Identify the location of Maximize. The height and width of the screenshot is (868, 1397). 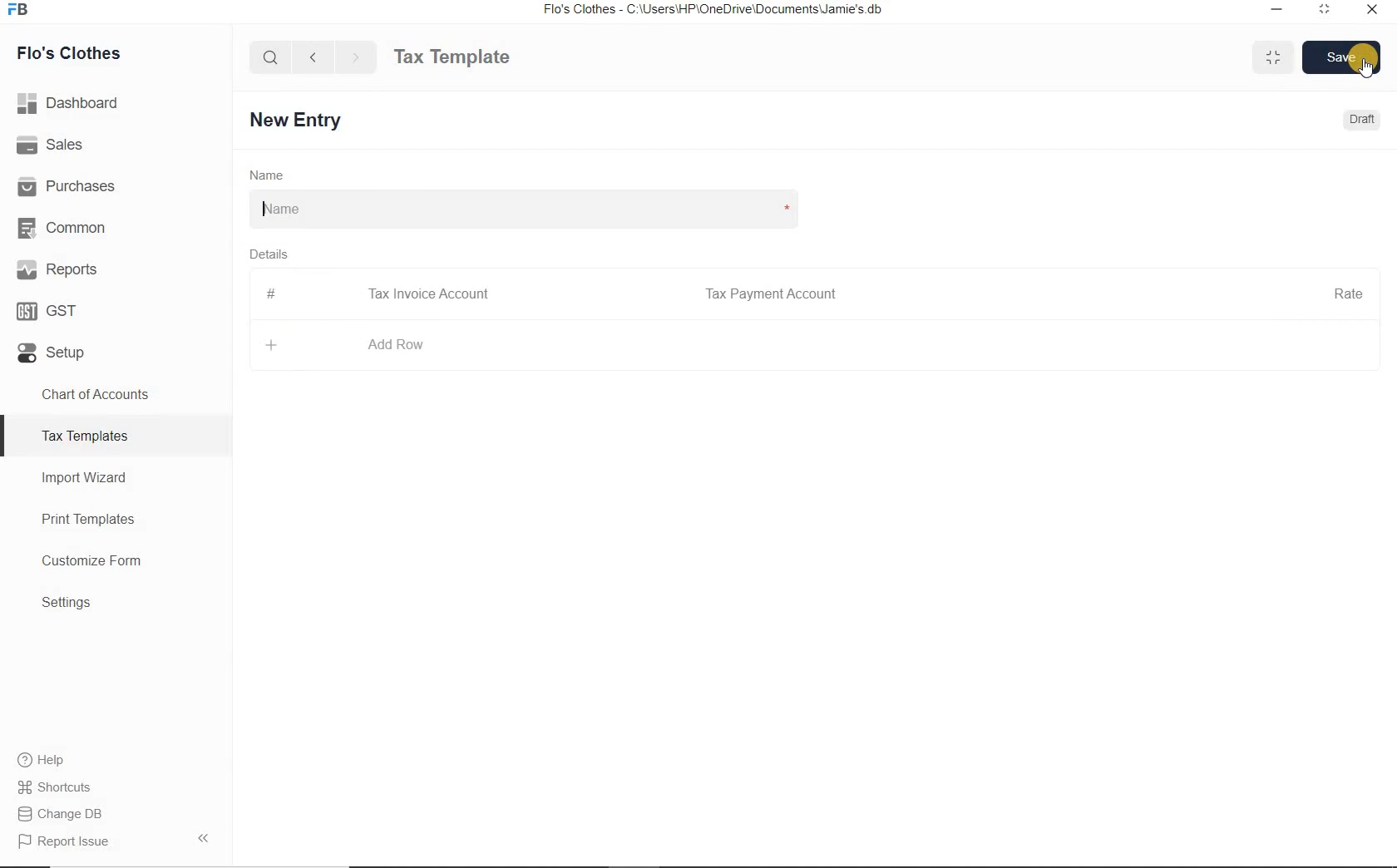
(1273, 57).